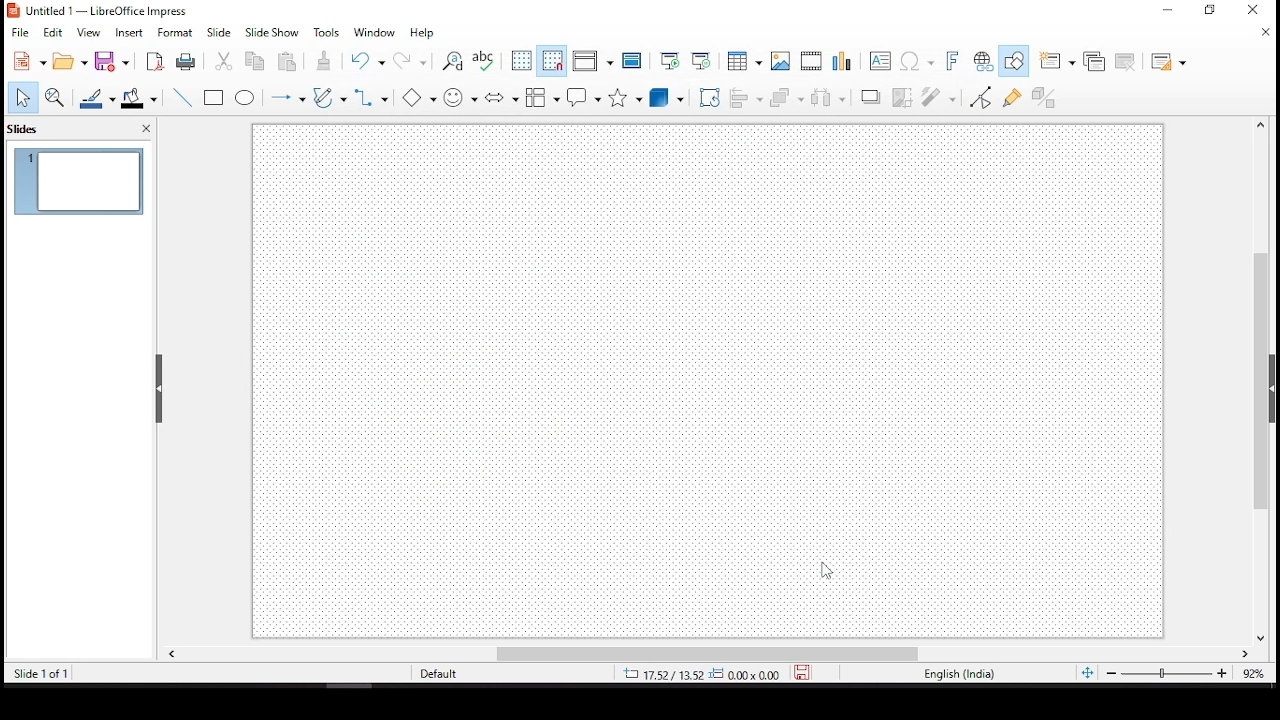 This screenshot has width=1280, height=720. What do you see at coordinates (20, 32) in the screenshot?
I see `file` at bounding box center [20, 32].